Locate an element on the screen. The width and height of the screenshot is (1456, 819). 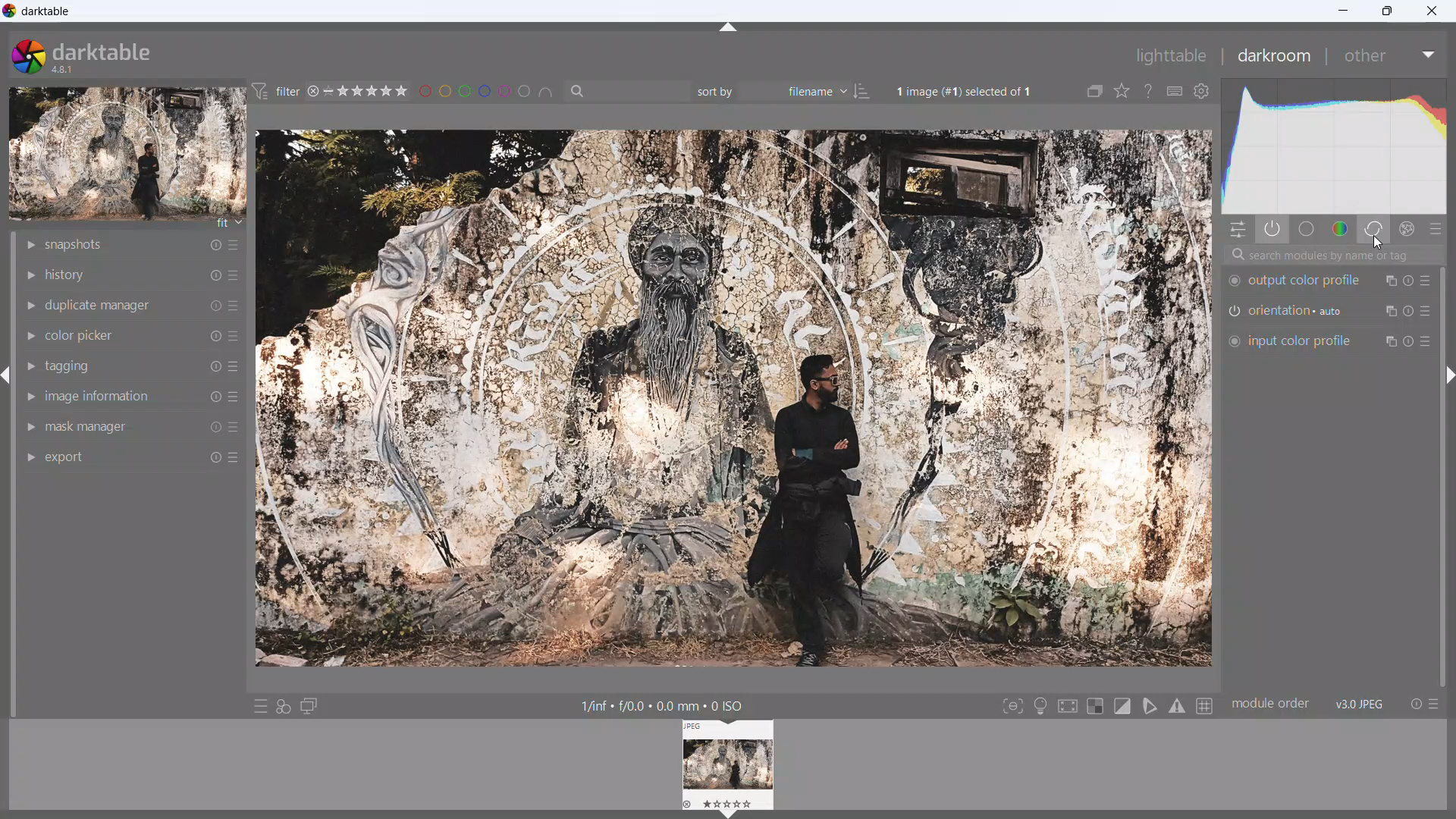
collapse grouped images is located at coordinates (1096, 91).